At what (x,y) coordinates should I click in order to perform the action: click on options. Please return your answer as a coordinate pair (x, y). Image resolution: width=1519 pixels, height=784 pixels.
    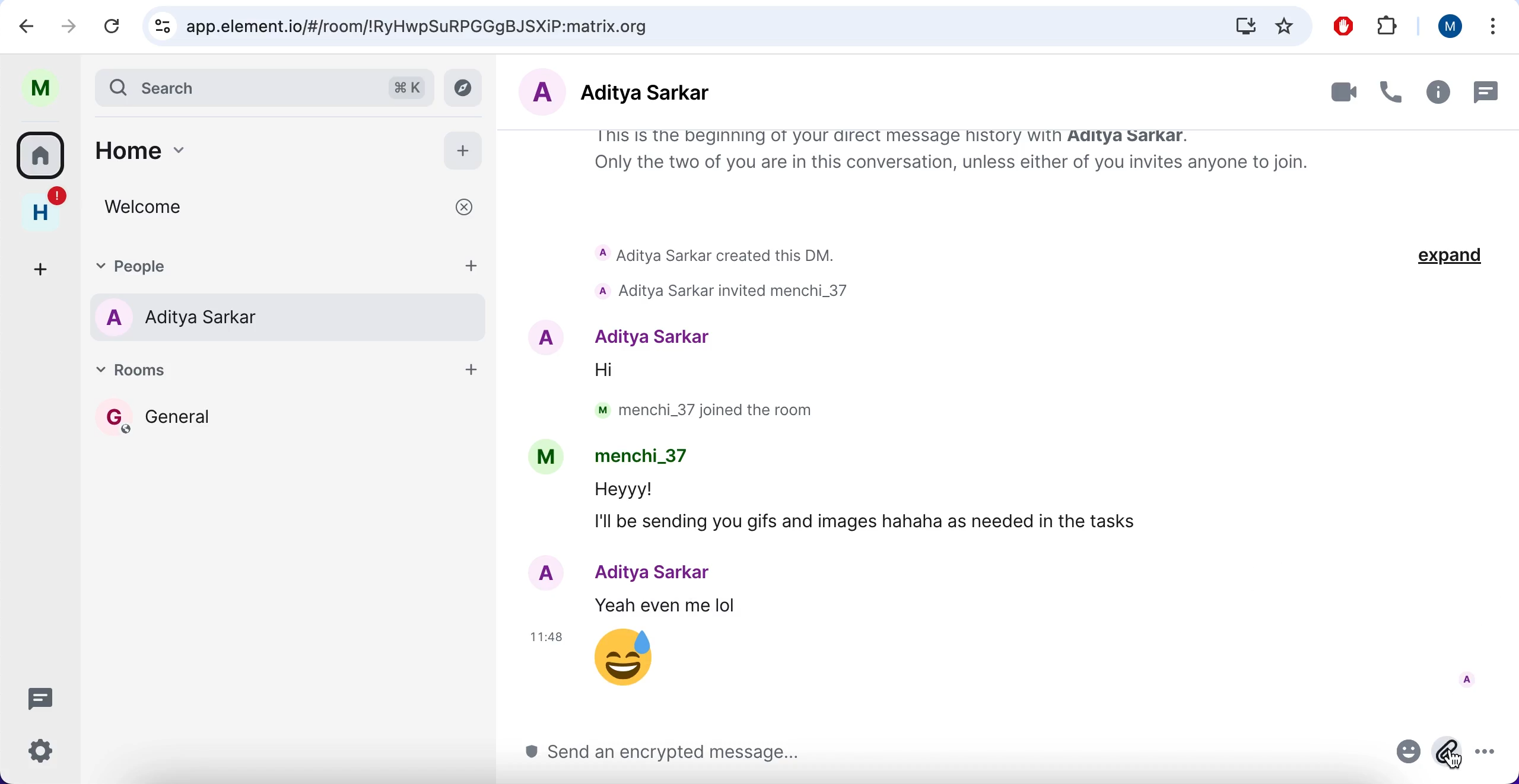
    Looking at the image, I should click on (1493, 756).